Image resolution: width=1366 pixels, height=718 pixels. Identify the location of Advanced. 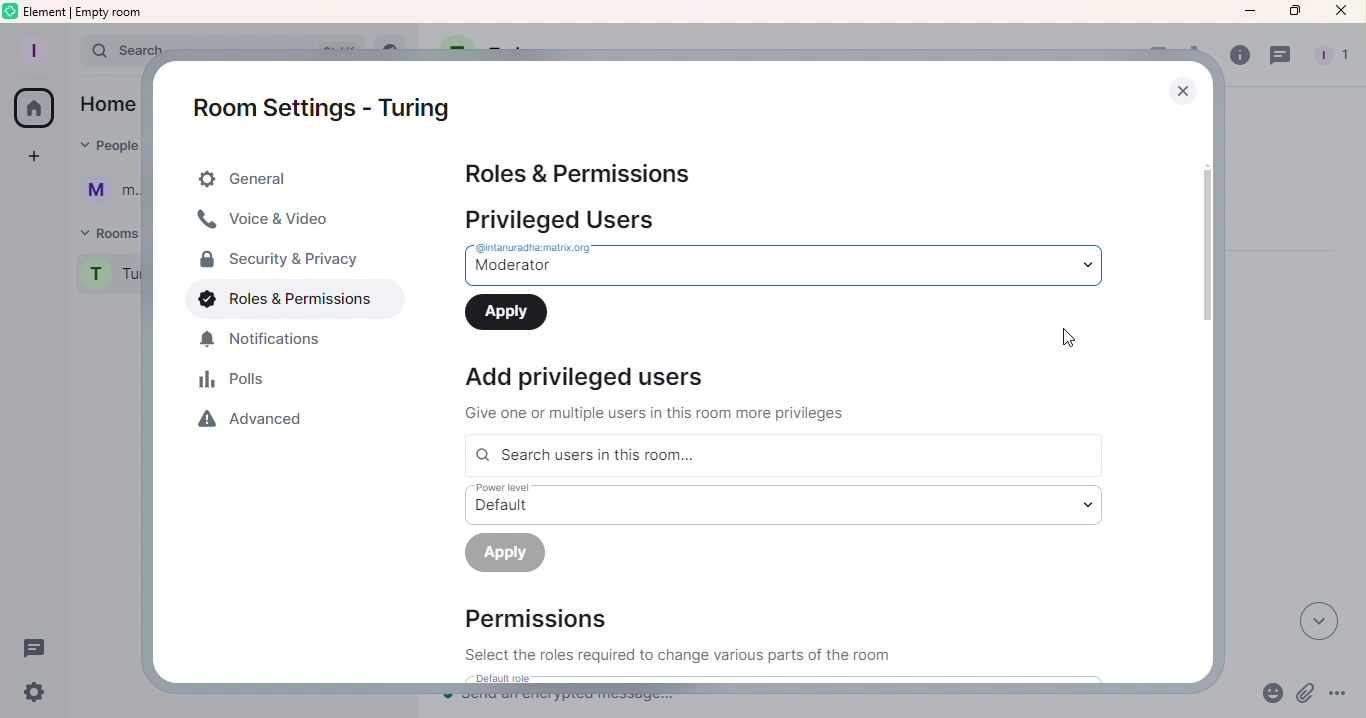
(255, 423).